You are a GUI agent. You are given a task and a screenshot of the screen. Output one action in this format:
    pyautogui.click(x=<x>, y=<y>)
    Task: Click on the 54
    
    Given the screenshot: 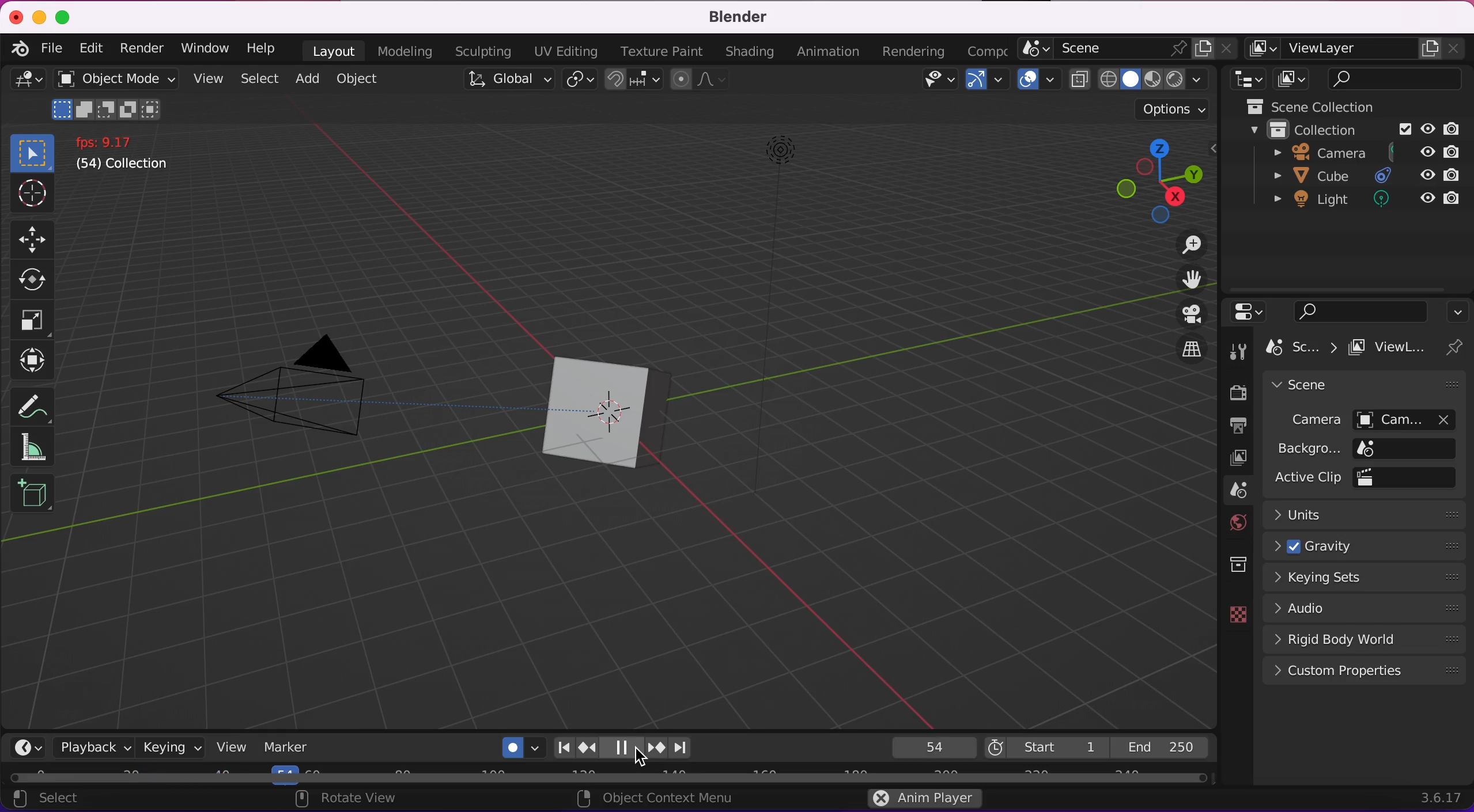 What is the action you would take?
    pyautogui.click(x=929, y=746)
    